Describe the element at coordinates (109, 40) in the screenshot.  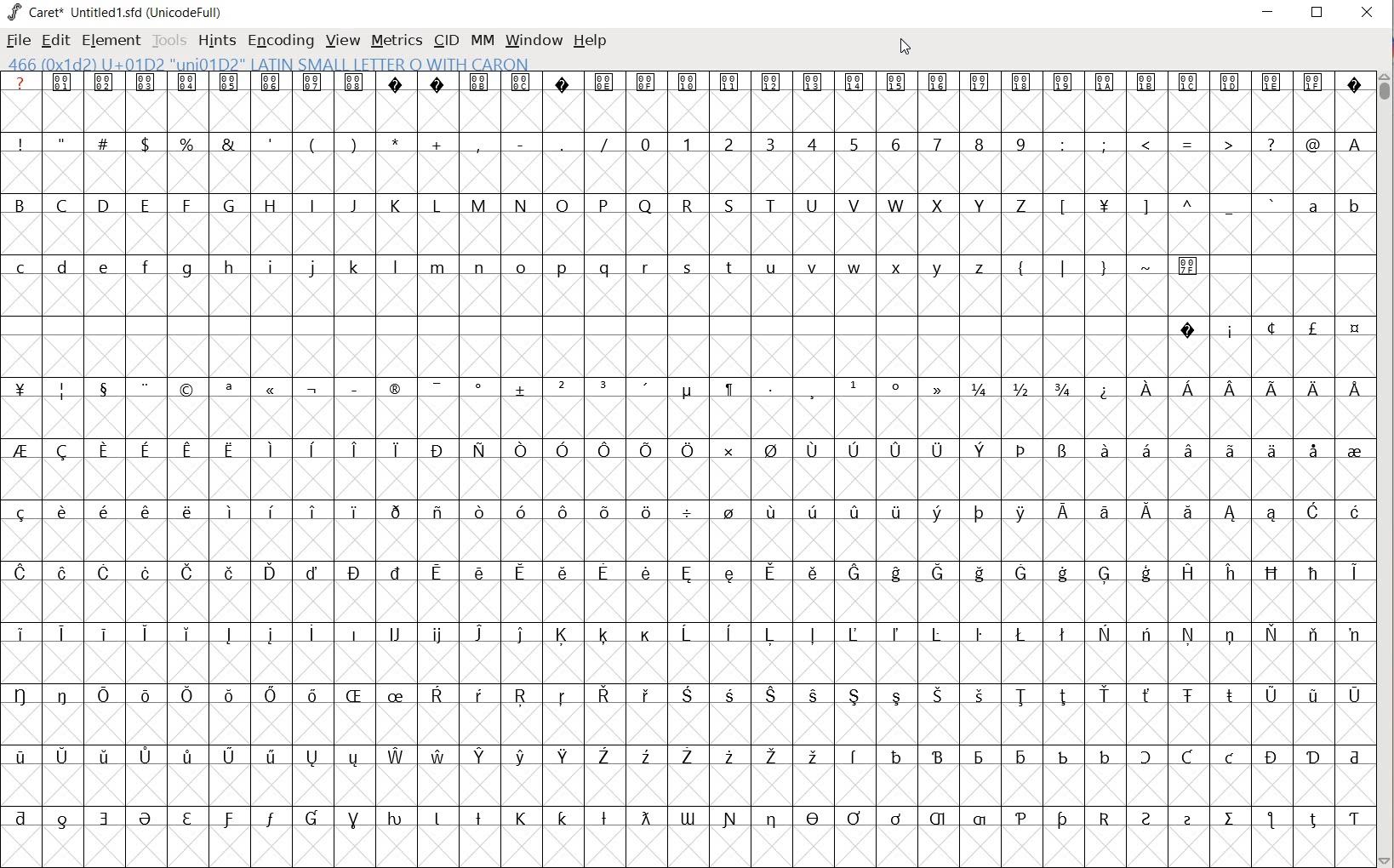
I see `ELEMENT` at that location.